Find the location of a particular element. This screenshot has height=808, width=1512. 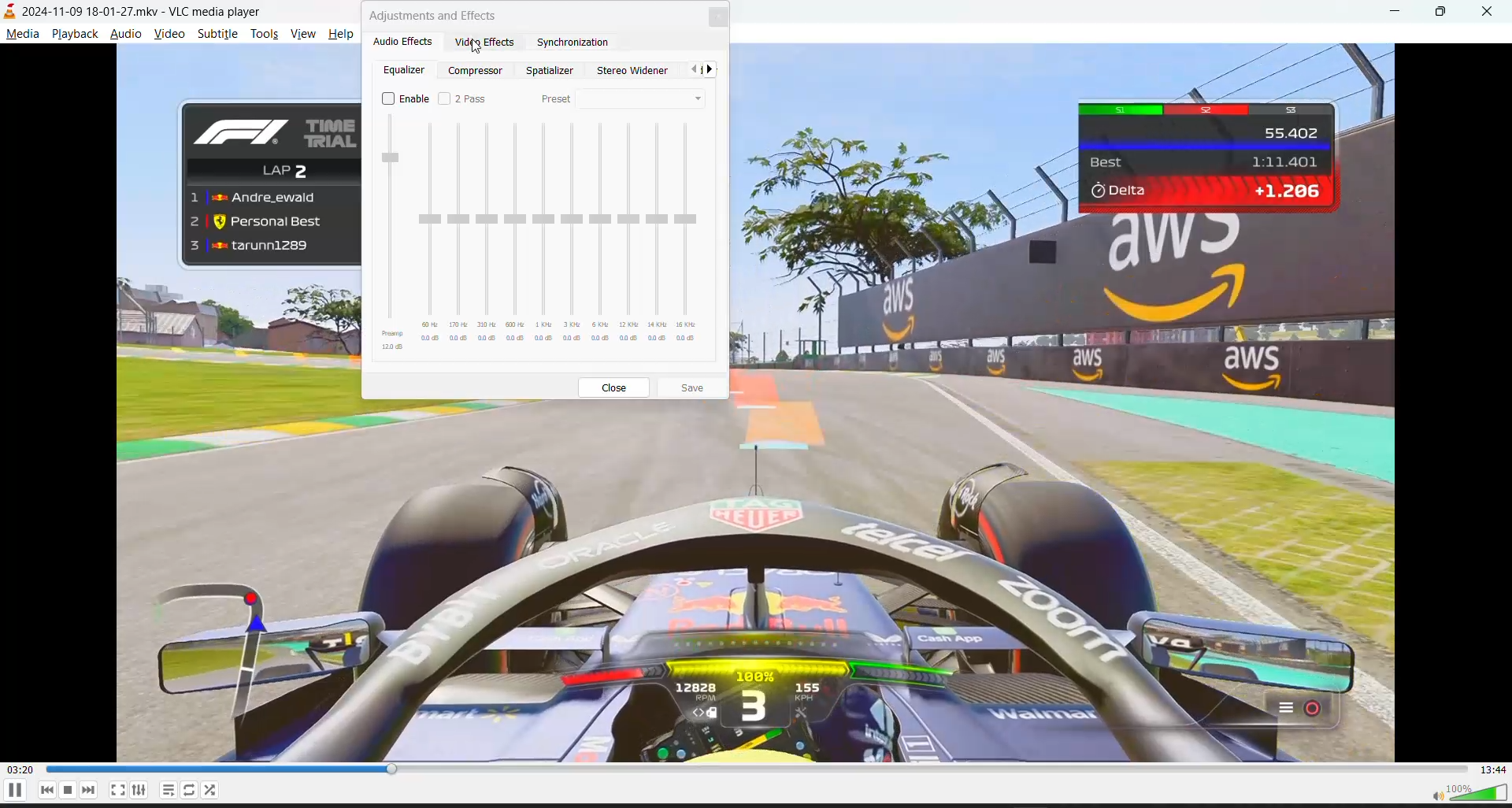

media is located at coordinates (20, 33).